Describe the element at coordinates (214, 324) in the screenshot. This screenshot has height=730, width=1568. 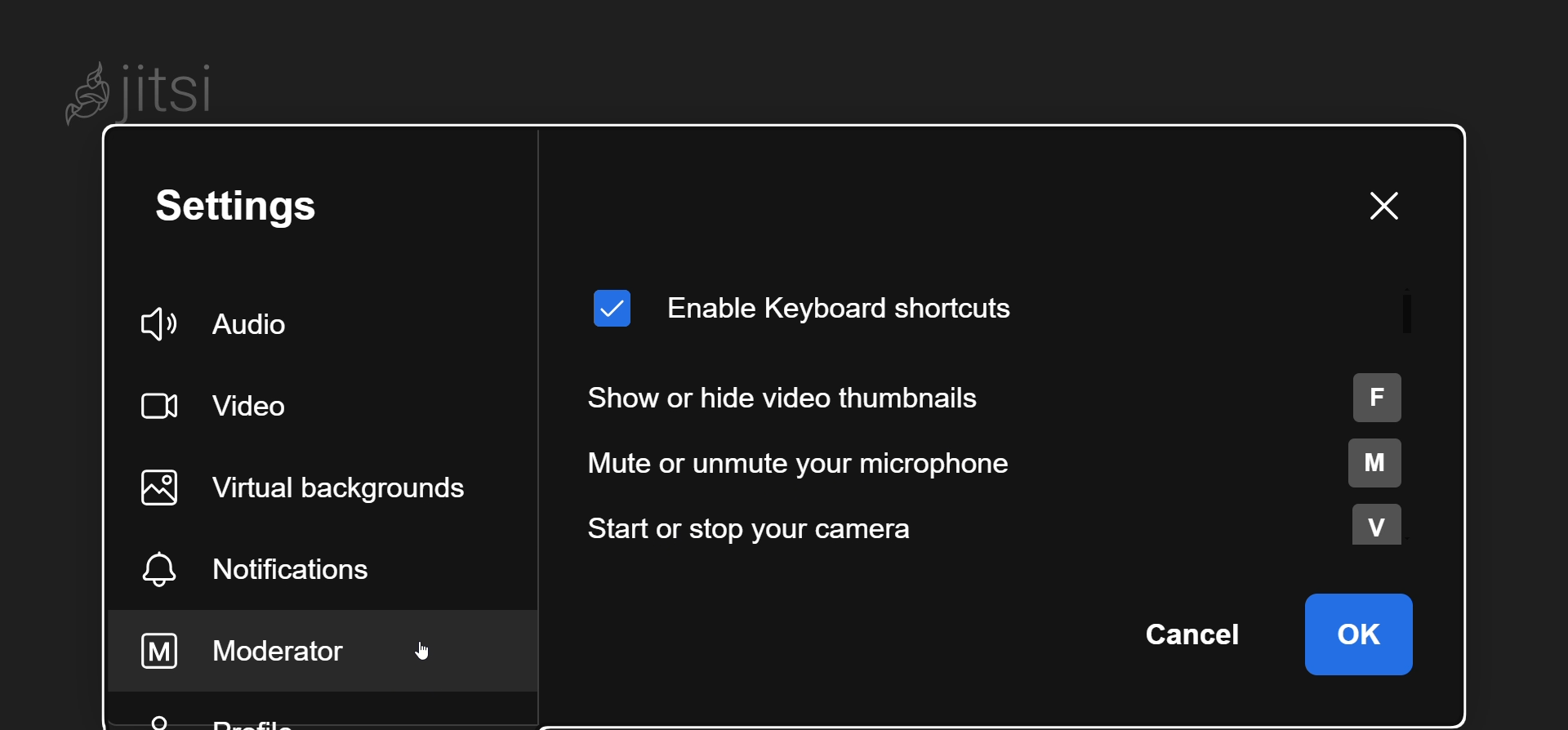
I see `audio` at that location.